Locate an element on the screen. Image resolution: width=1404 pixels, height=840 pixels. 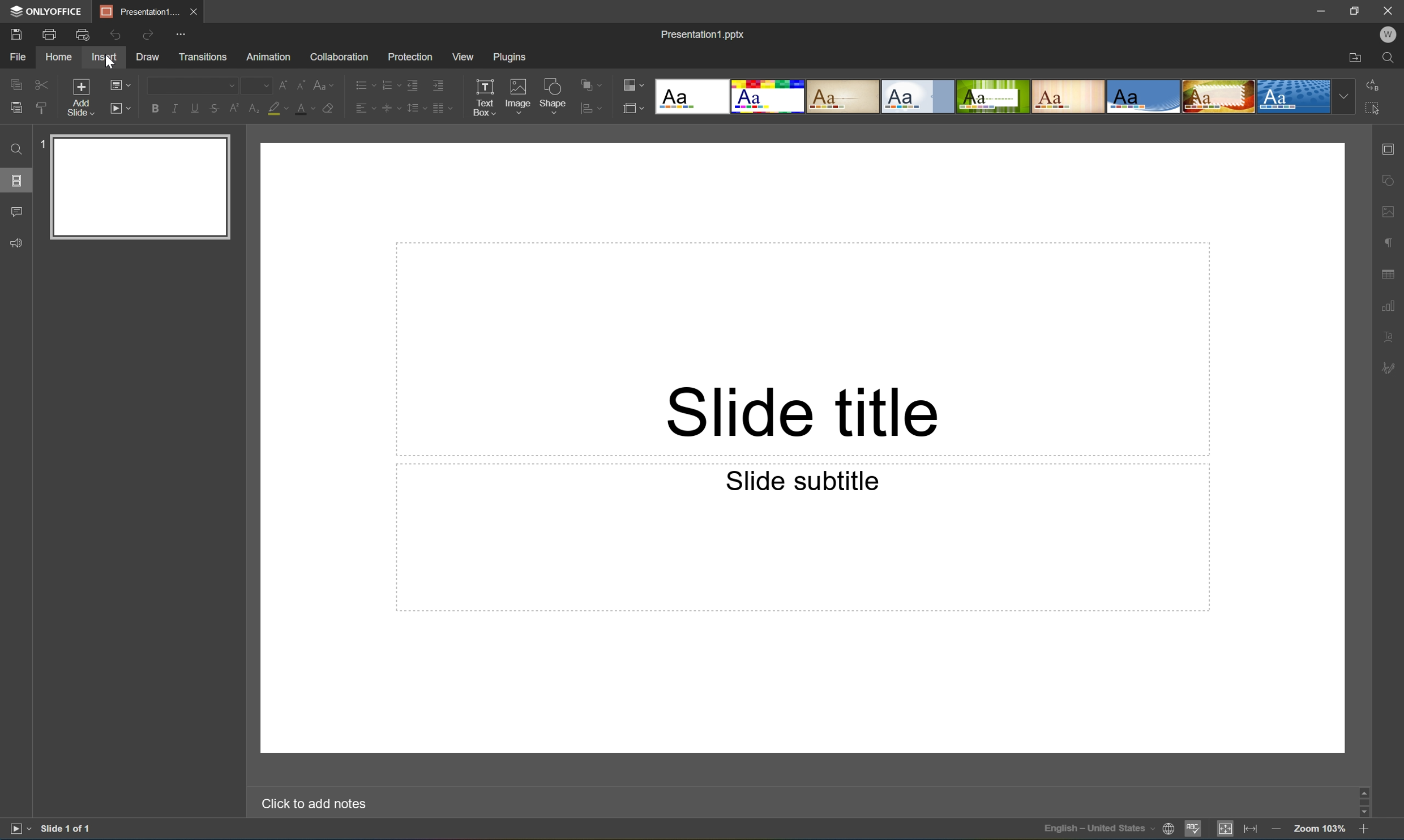
Add Slide is located at coordinates (82, 98).